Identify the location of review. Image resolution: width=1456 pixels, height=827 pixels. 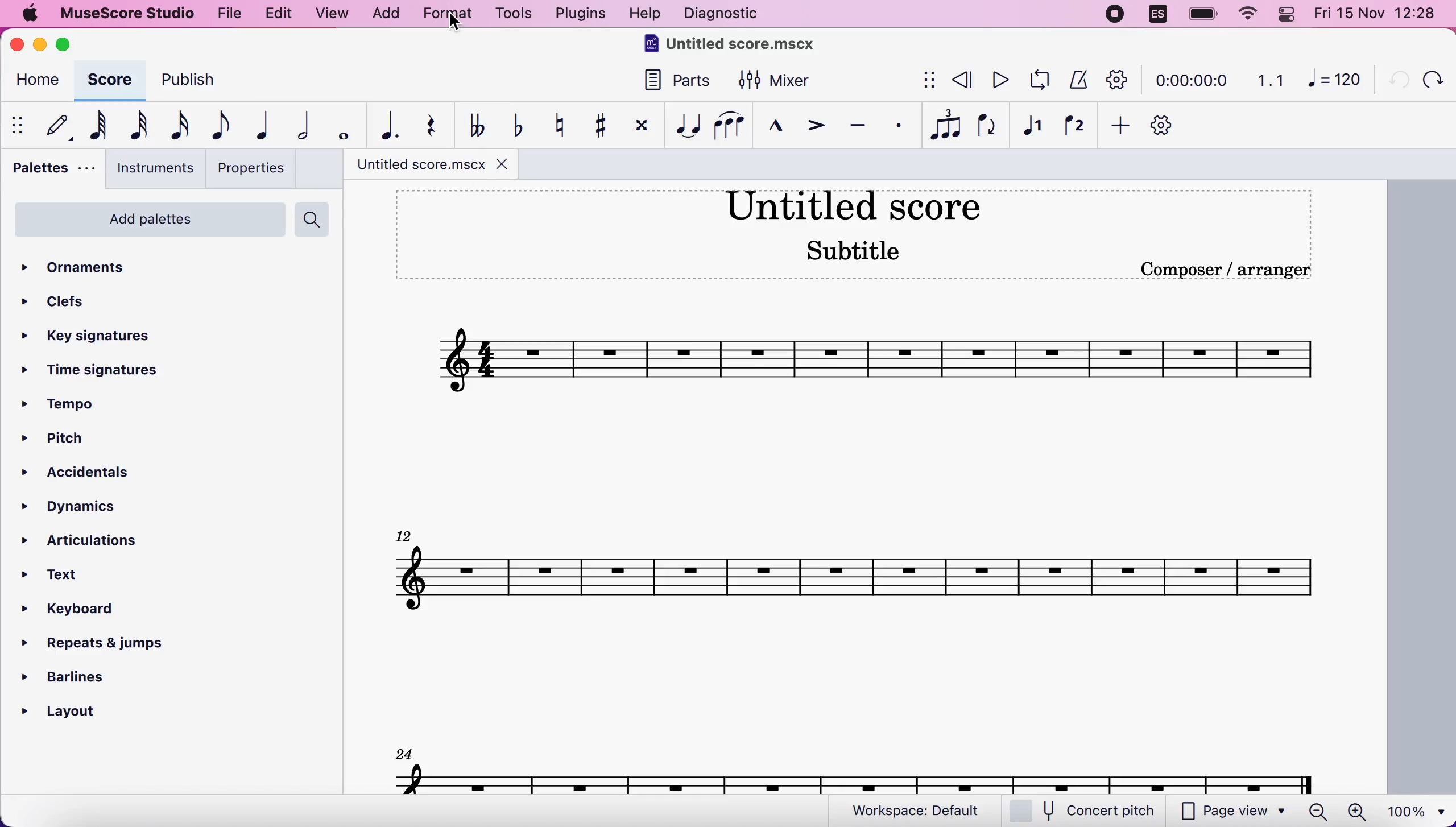
(963, 80).